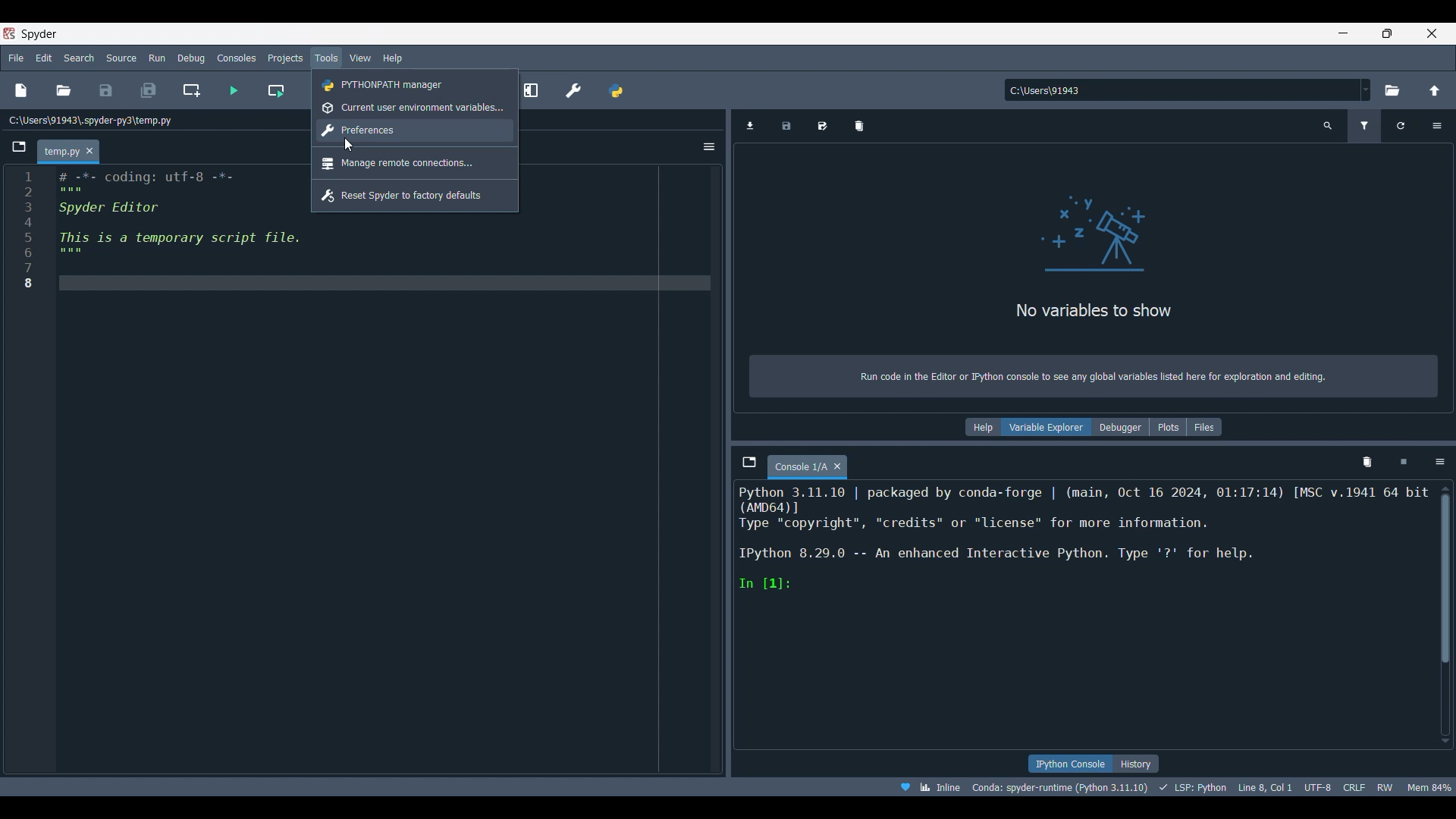 This screenshot has width=1456, height=819. What do you see at coordinates (1041, 427) in the screenshot?
I see `Variable explorer, current selection highlighted` at bounding box center [1041, 427].